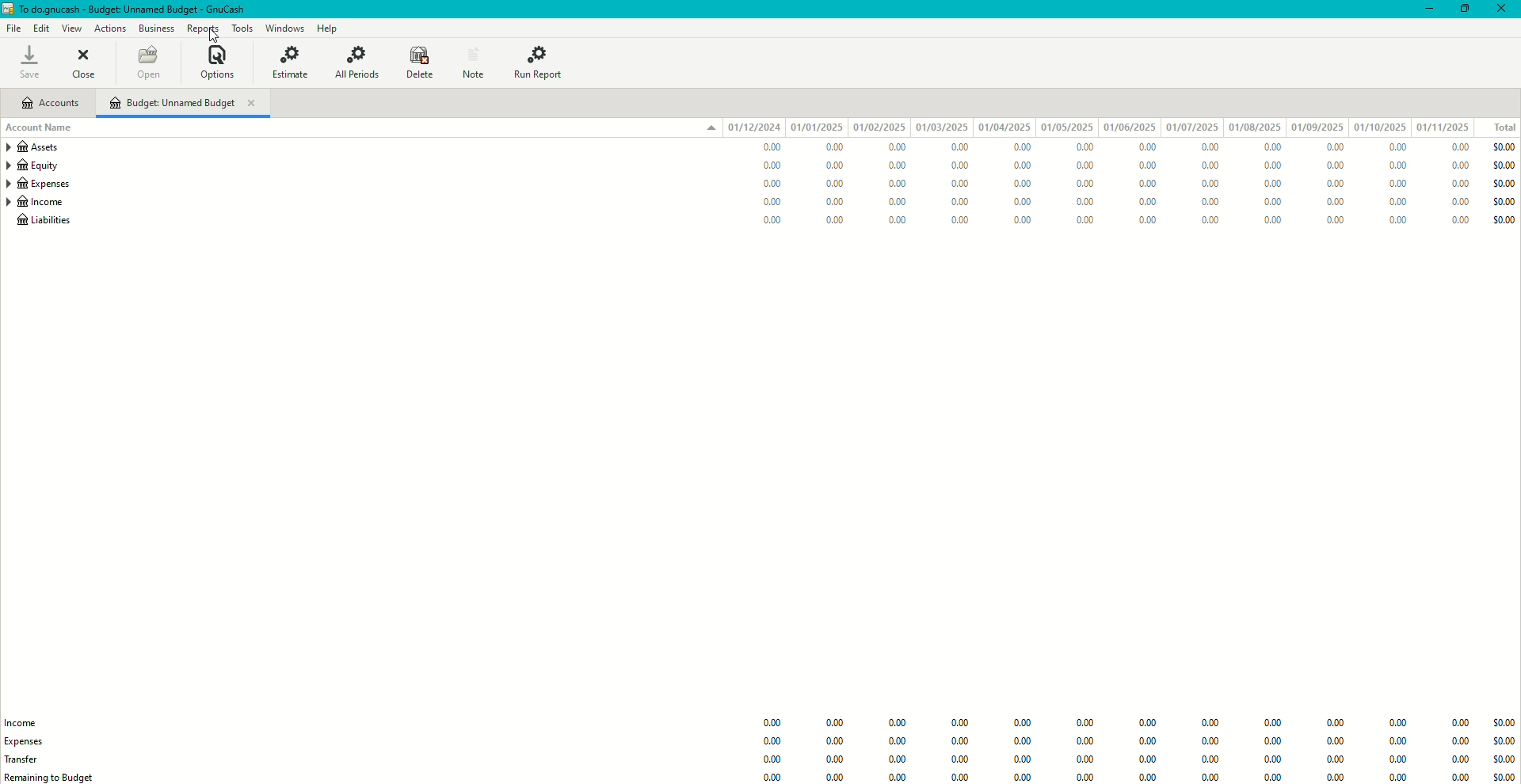 The height and width of the screenshot is (784, 1521). I want to click on 0.00, so click(1272, 204).